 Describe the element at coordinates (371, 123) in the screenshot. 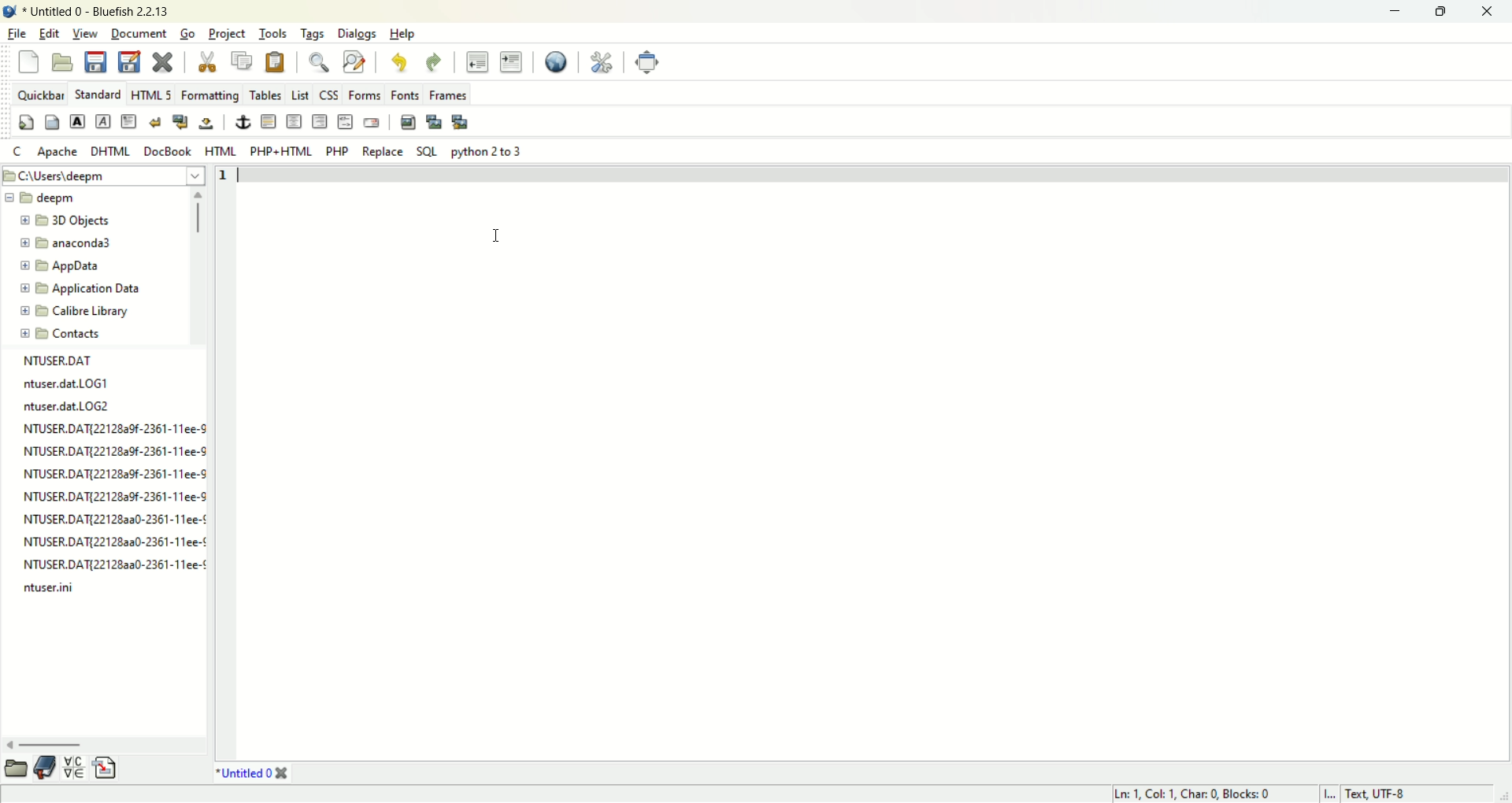

I see `email` at that location.